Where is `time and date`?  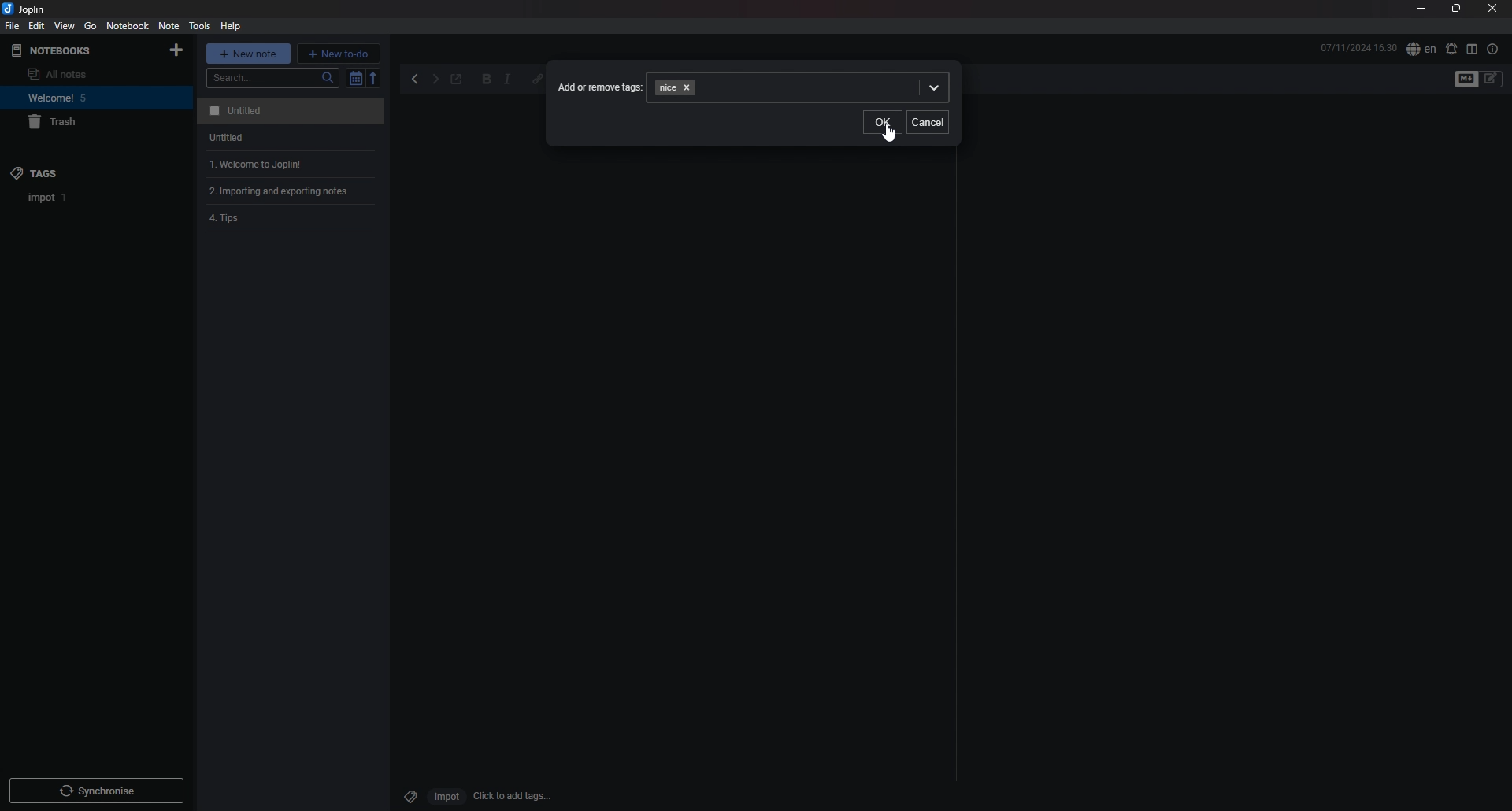
time and date is located at coordinates (1358, 47).